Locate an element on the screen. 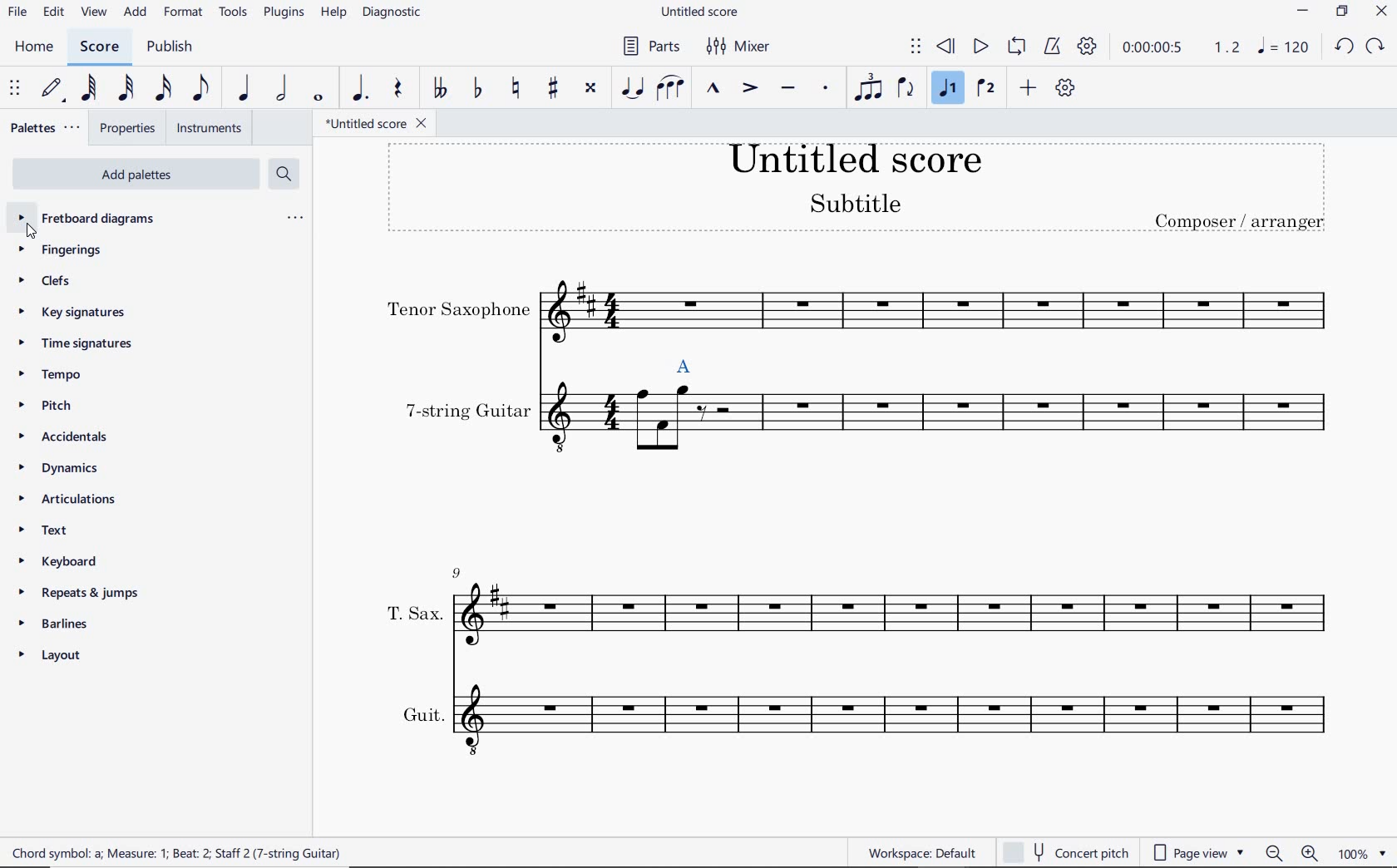 The image size is (1397, 868). EDIT is located at coordinates (52, 11).